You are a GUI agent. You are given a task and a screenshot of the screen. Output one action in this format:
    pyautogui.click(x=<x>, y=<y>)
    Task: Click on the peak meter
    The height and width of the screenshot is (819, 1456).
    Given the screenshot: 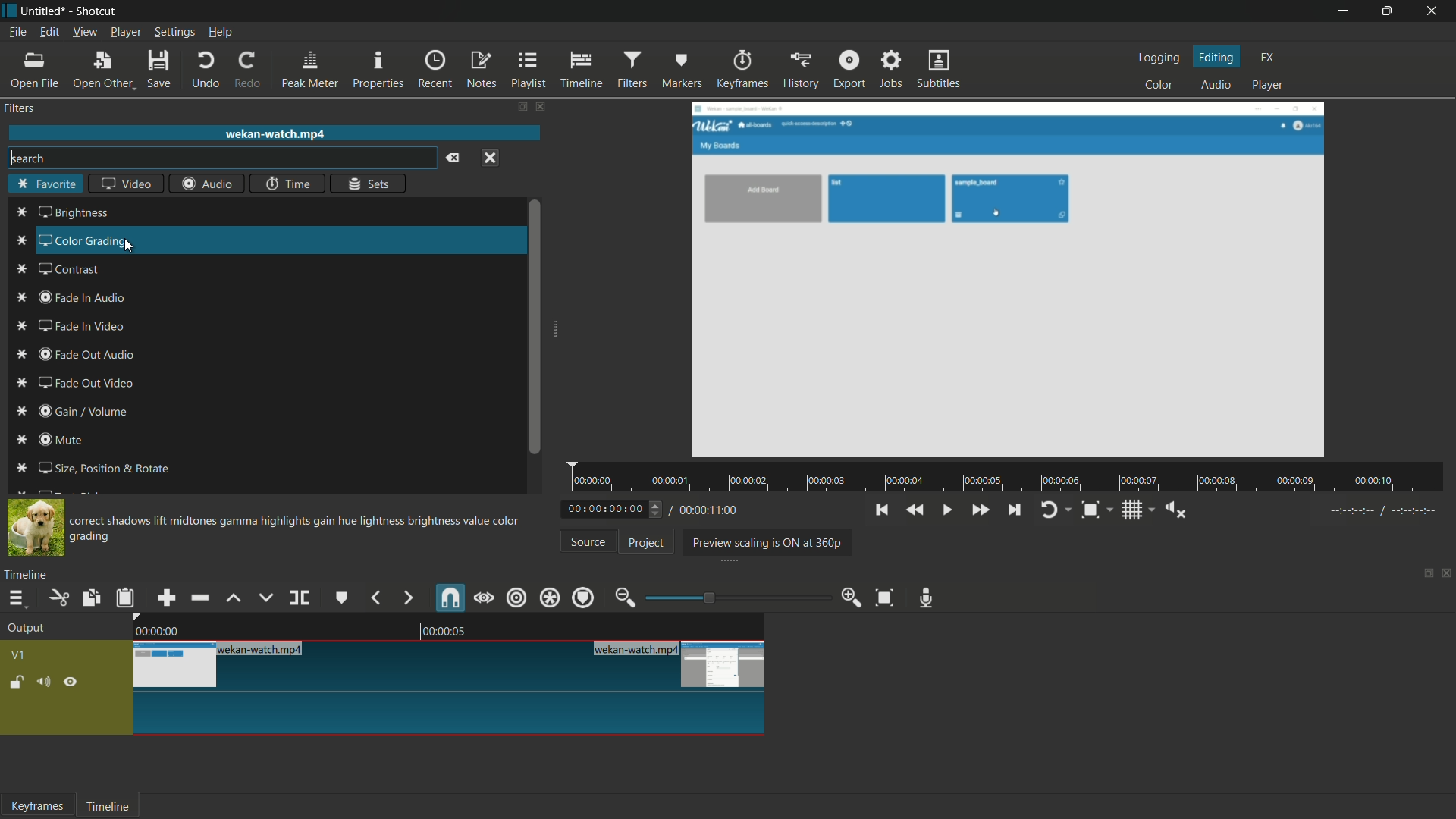 What is the action you would take?
    pyautogui.click(x=312, y=70)
    